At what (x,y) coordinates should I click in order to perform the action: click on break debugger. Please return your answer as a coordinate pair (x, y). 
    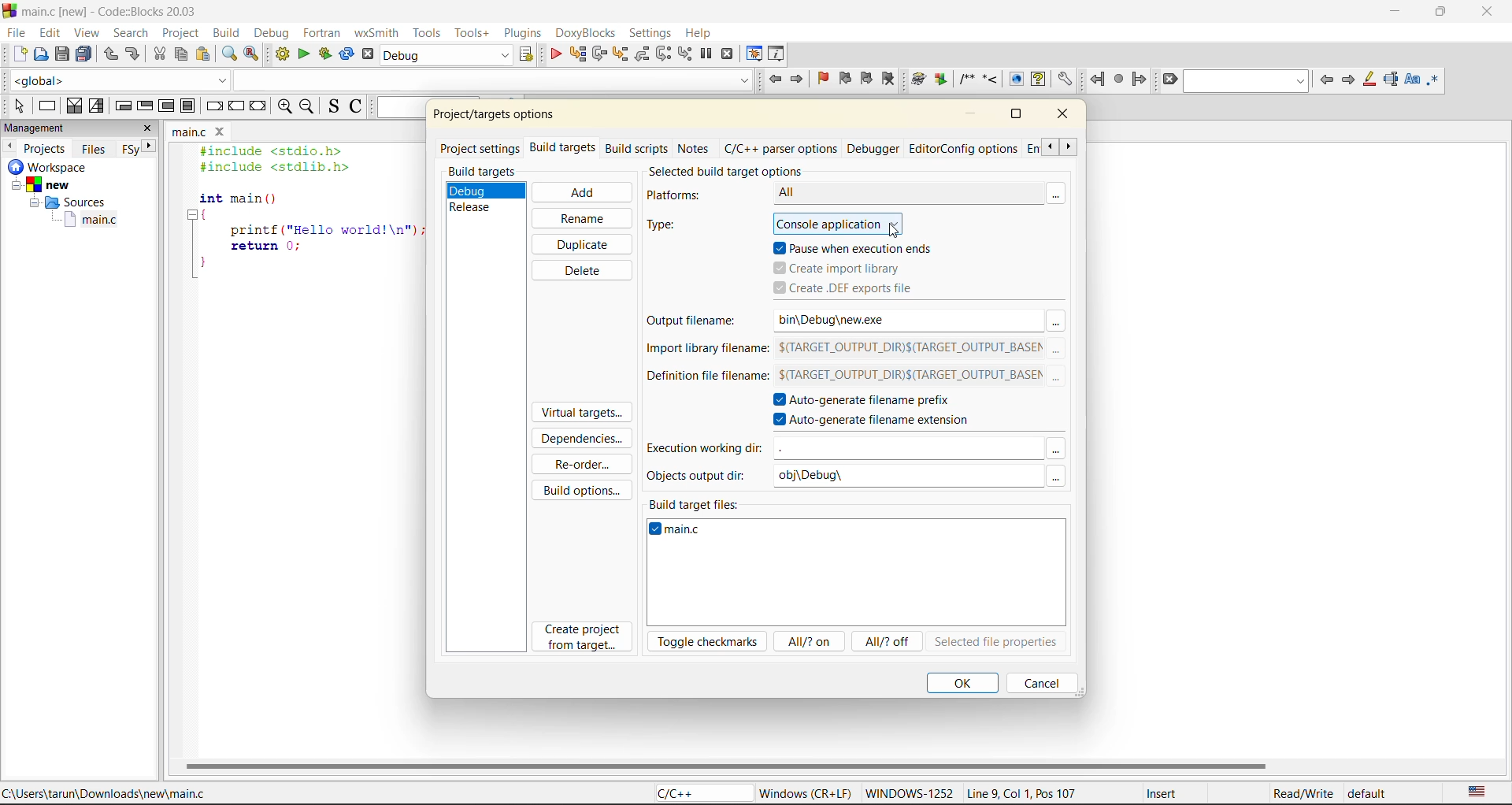
    Looking at the image, I should click on (707, 54).